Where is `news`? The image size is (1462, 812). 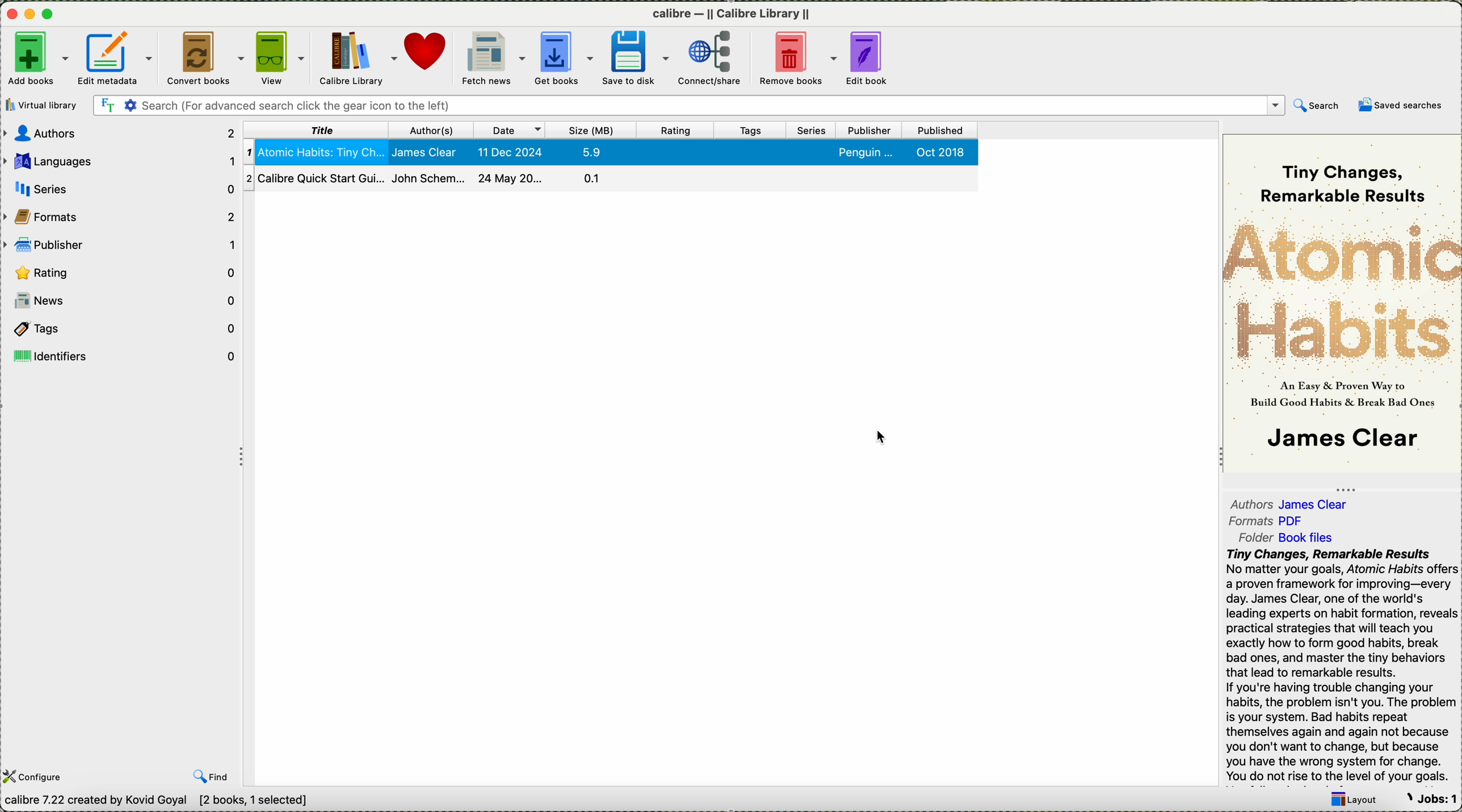
news is located at coordinates (123, 299).